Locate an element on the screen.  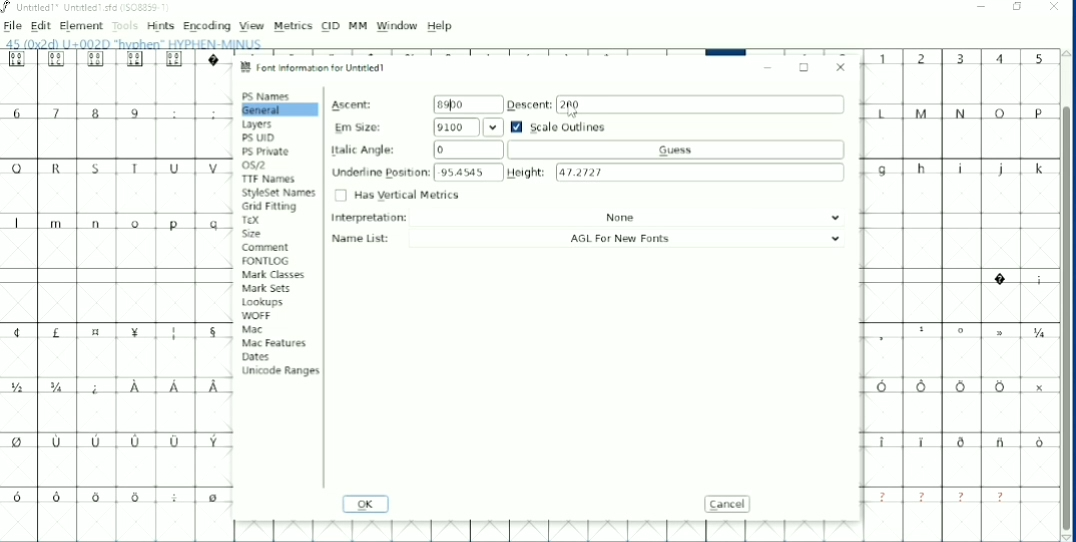
Close is located at coordinates (841, 65).